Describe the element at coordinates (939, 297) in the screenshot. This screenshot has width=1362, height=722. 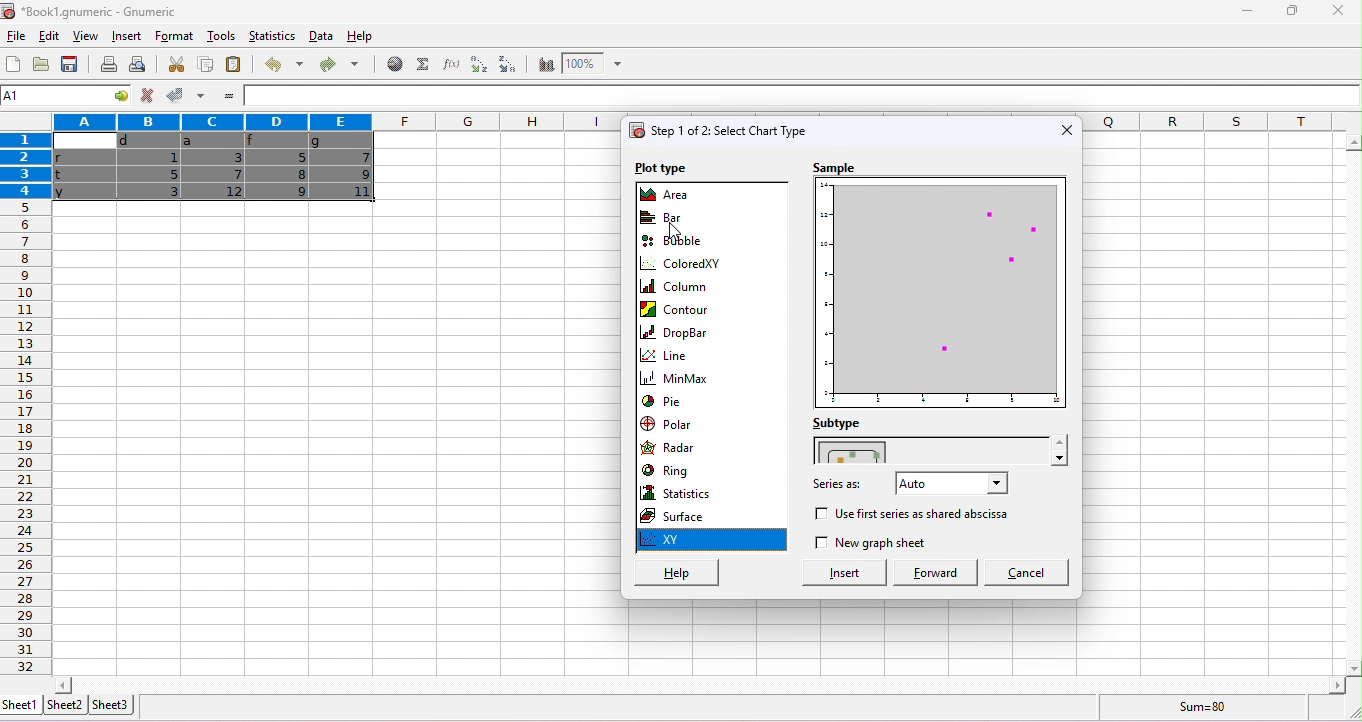
I see `chart preview` at that location.